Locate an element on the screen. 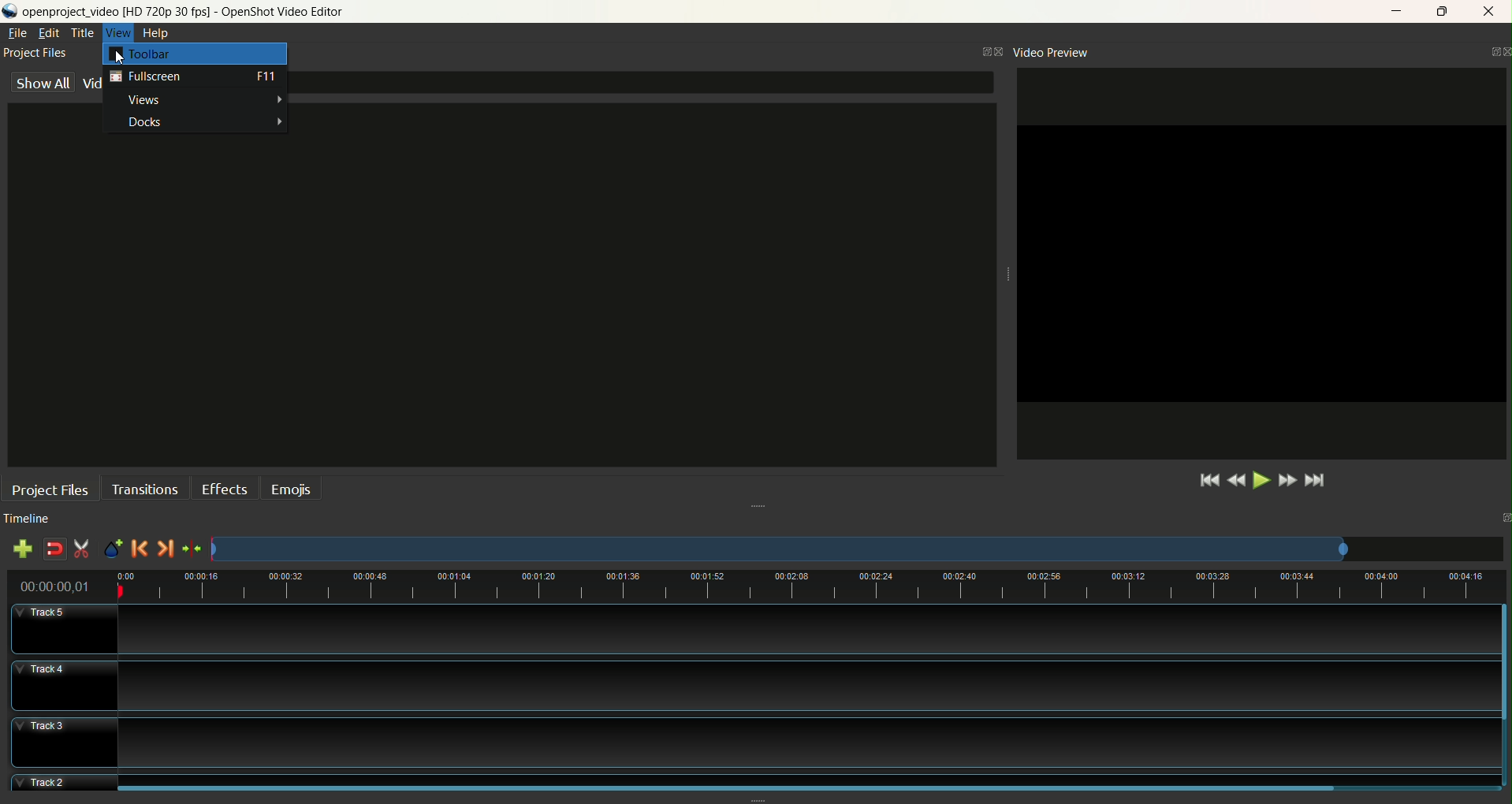  file name is located at coordinates (196, 12).